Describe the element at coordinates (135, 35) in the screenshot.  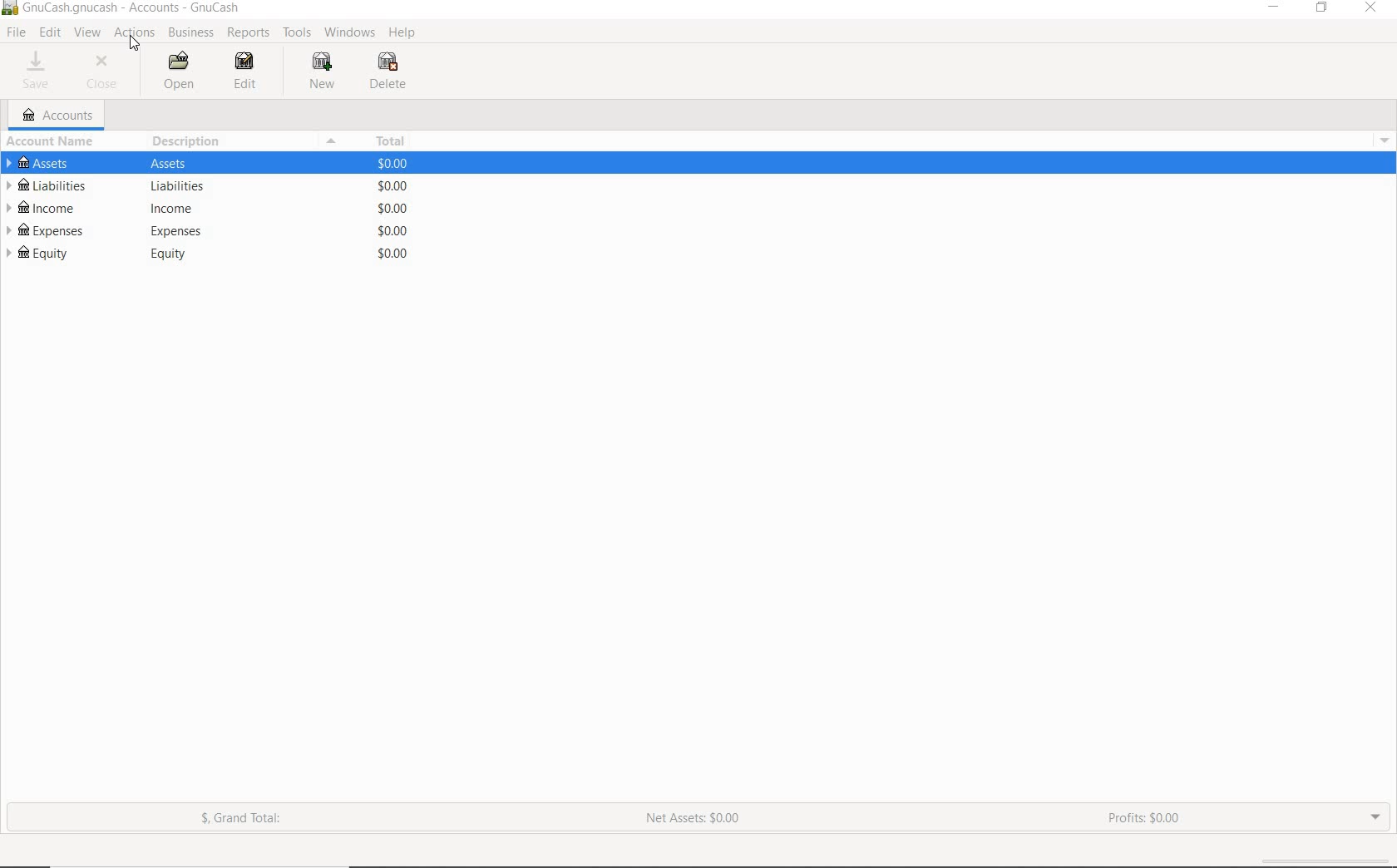
I see `ACTIONS` at that location.